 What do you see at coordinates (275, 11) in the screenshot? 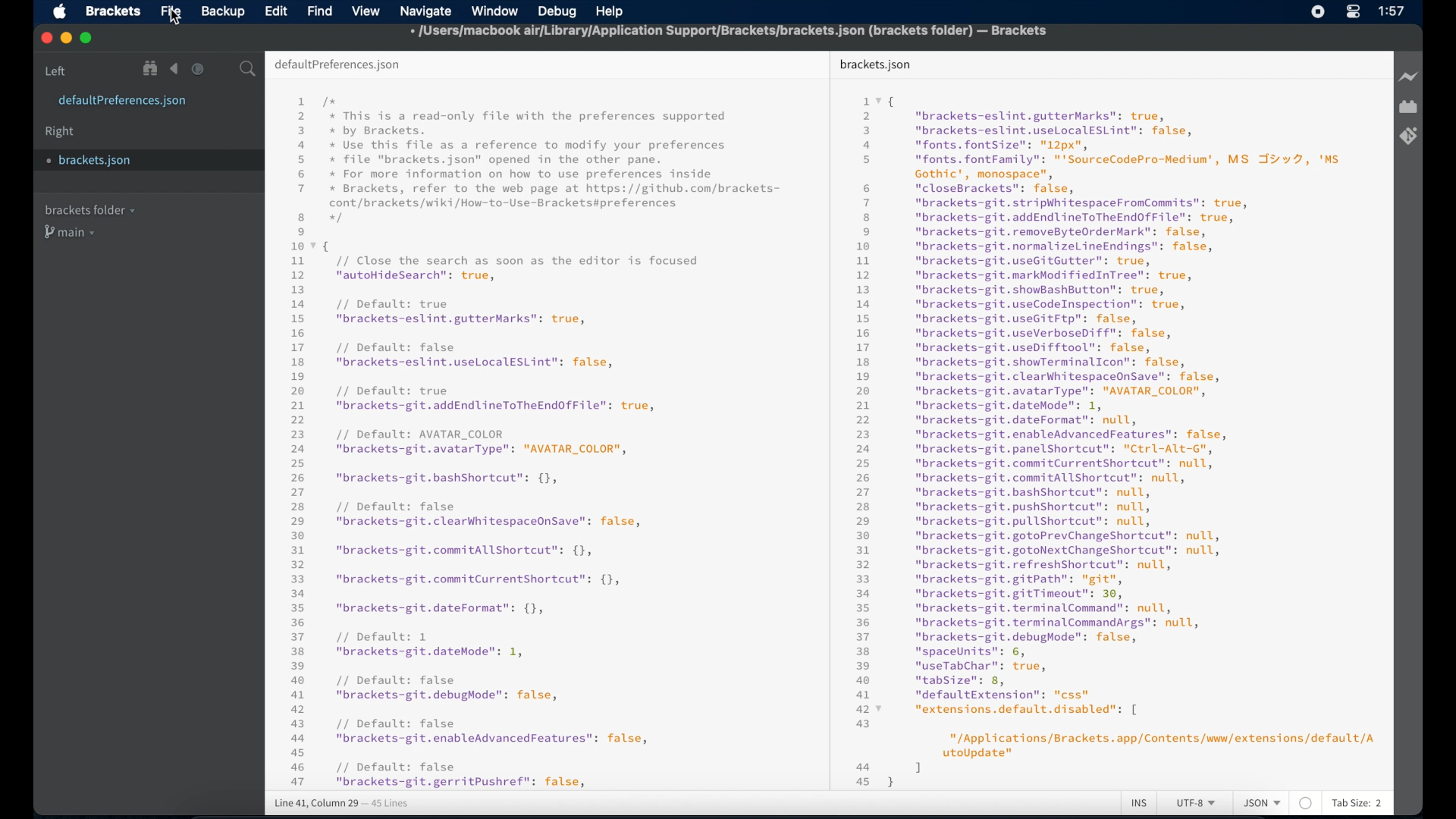
I see `edit` at bounding box center [275, 11].